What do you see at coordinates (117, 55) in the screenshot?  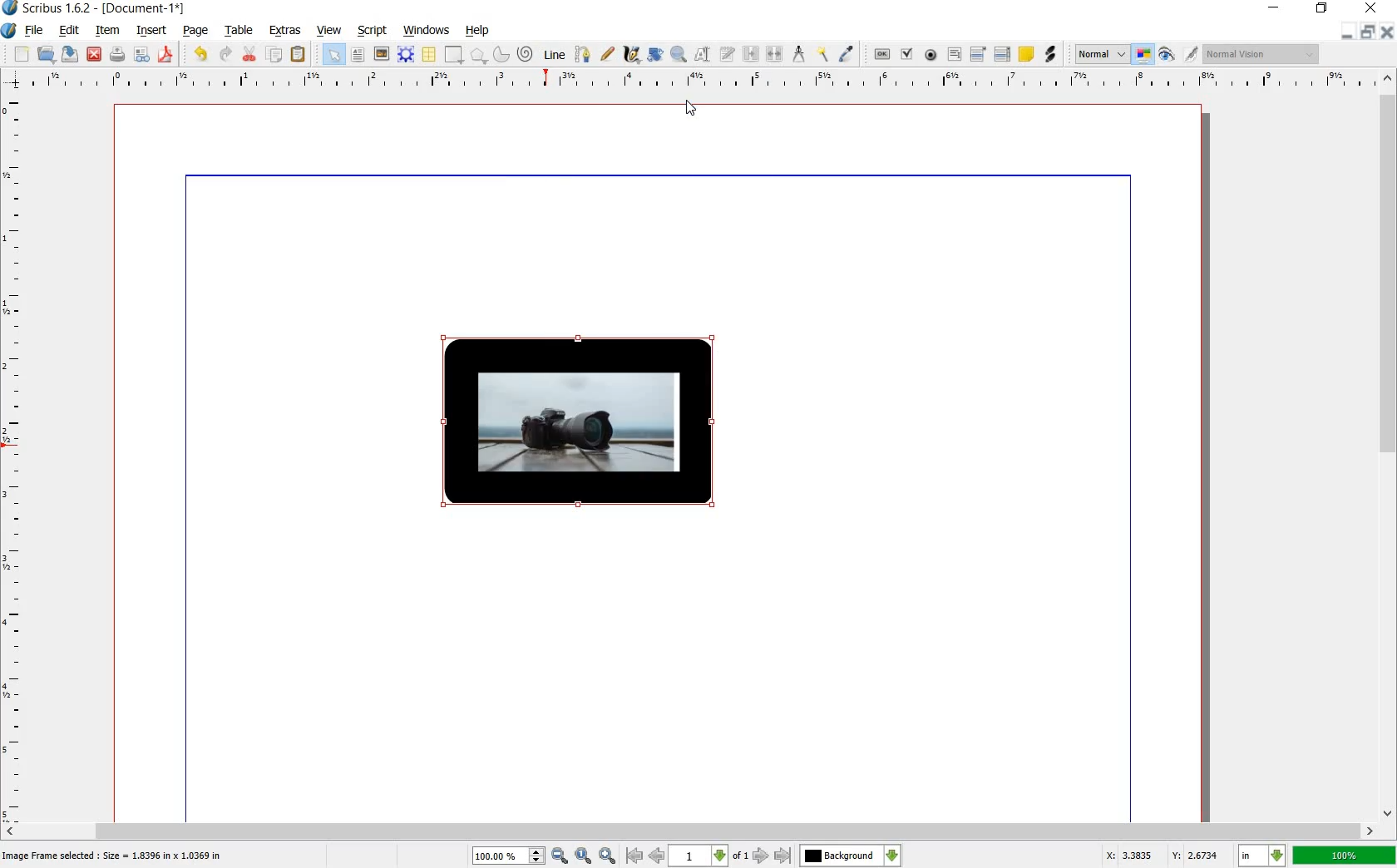 I see `print` at bounding box center [117, 55].